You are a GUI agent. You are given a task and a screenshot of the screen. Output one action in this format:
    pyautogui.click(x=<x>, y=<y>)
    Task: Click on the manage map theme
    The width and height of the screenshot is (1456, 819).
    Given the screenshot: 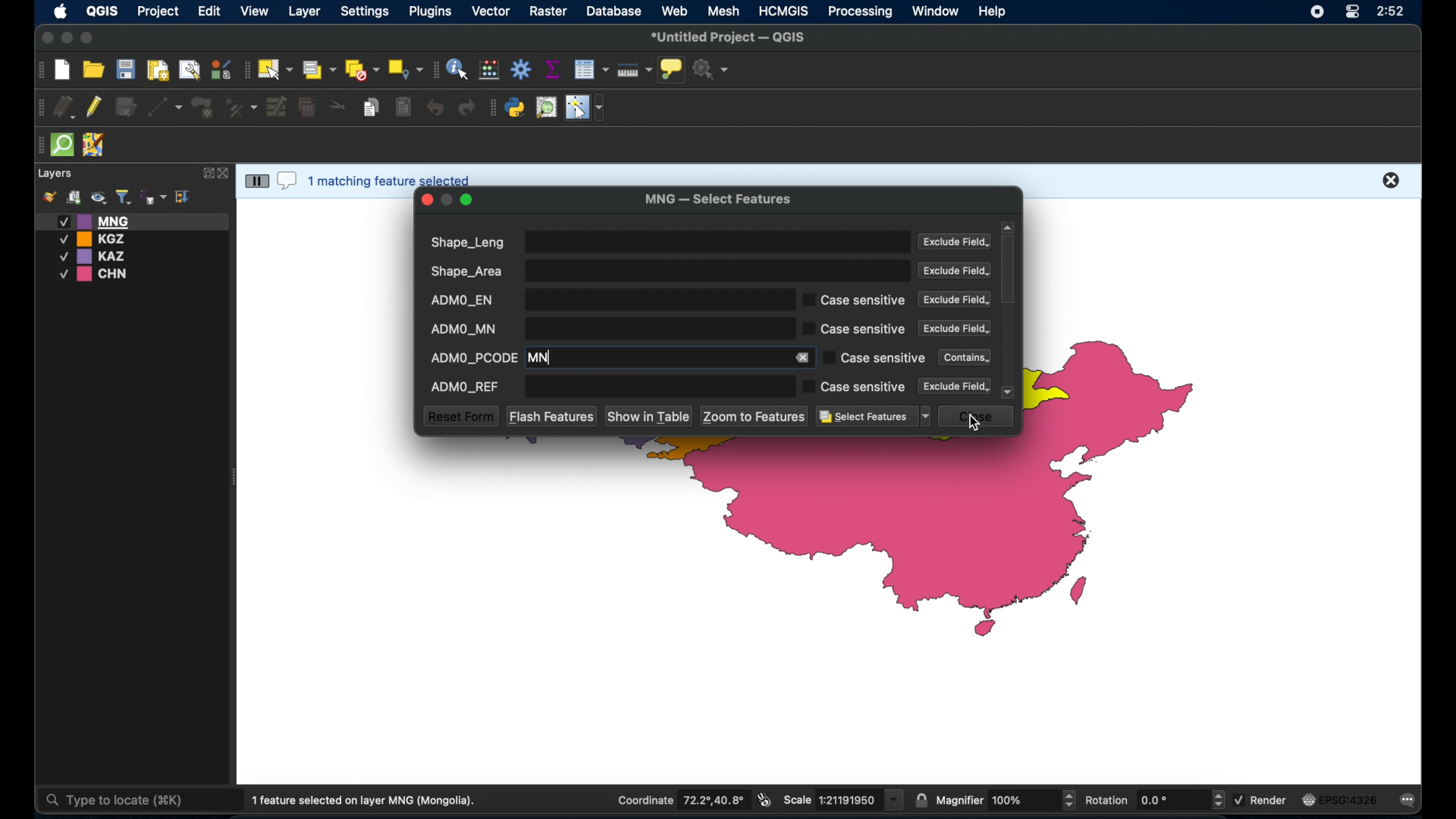 What is the action you would take?
    pyautogui.click(x=98, y=198)
    